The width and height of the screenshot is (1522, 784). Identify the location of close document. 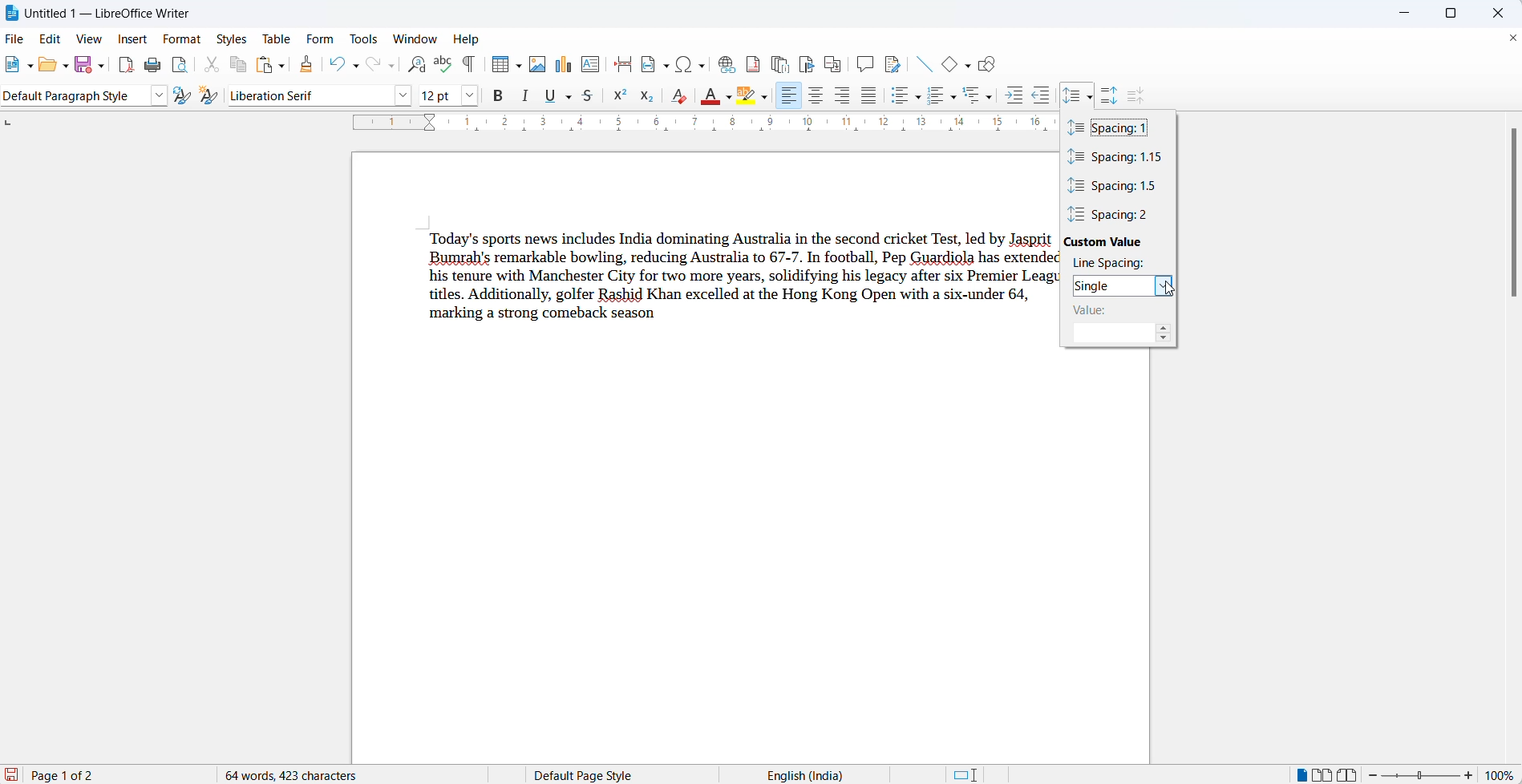
(1512, 38).